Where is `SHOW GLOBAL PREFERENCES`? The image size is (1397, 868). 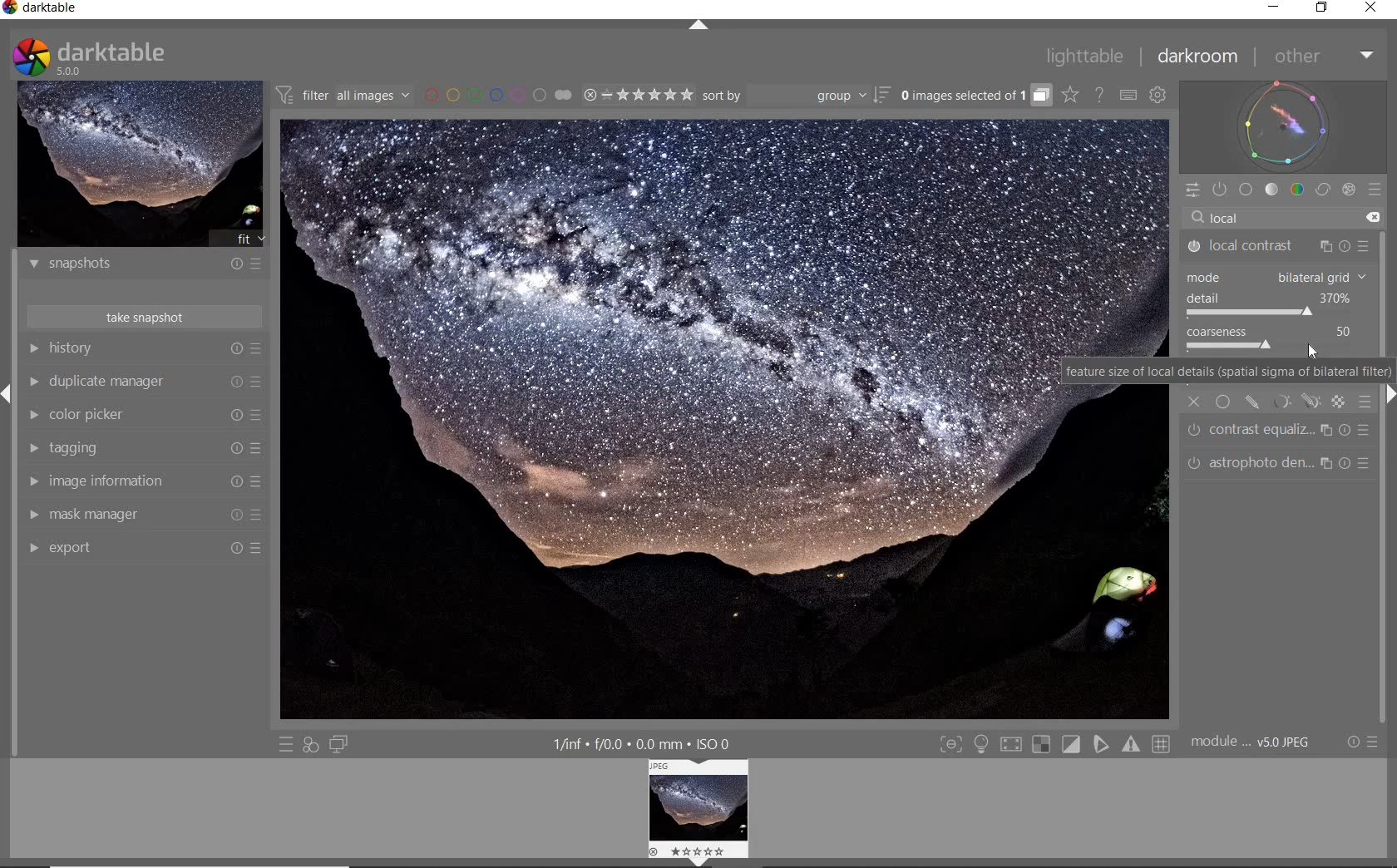
SHOW GLOBAL PREFERENCES is located at coordinates (1157, 94).